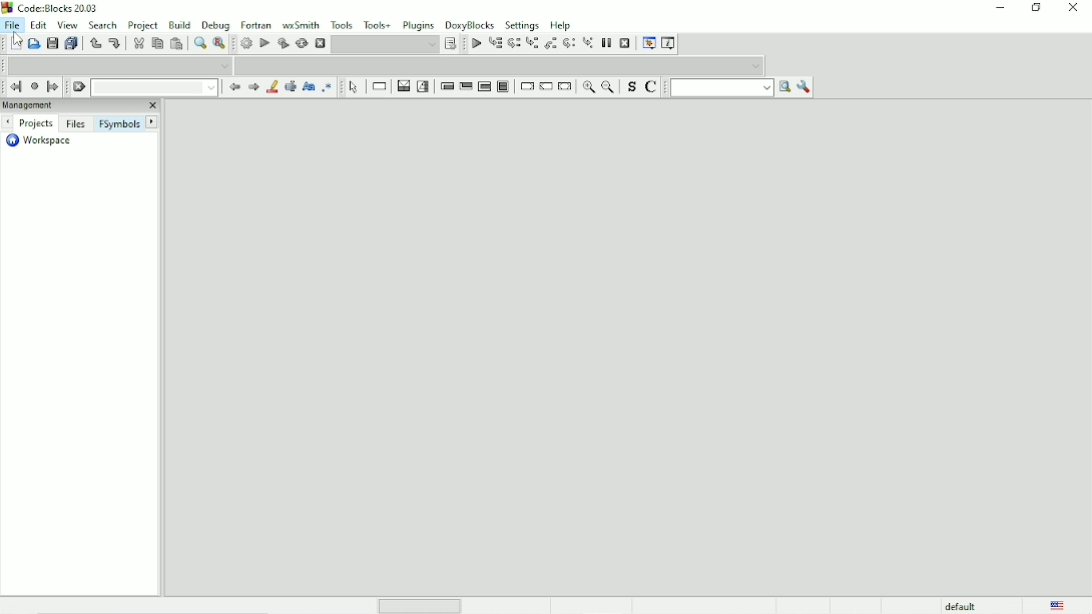 This screenshot has height=614, width=1092. What do you see at coordinates (301, 43) in the screenshot?
I see `Rebuild` at bounding box center [301, 43].